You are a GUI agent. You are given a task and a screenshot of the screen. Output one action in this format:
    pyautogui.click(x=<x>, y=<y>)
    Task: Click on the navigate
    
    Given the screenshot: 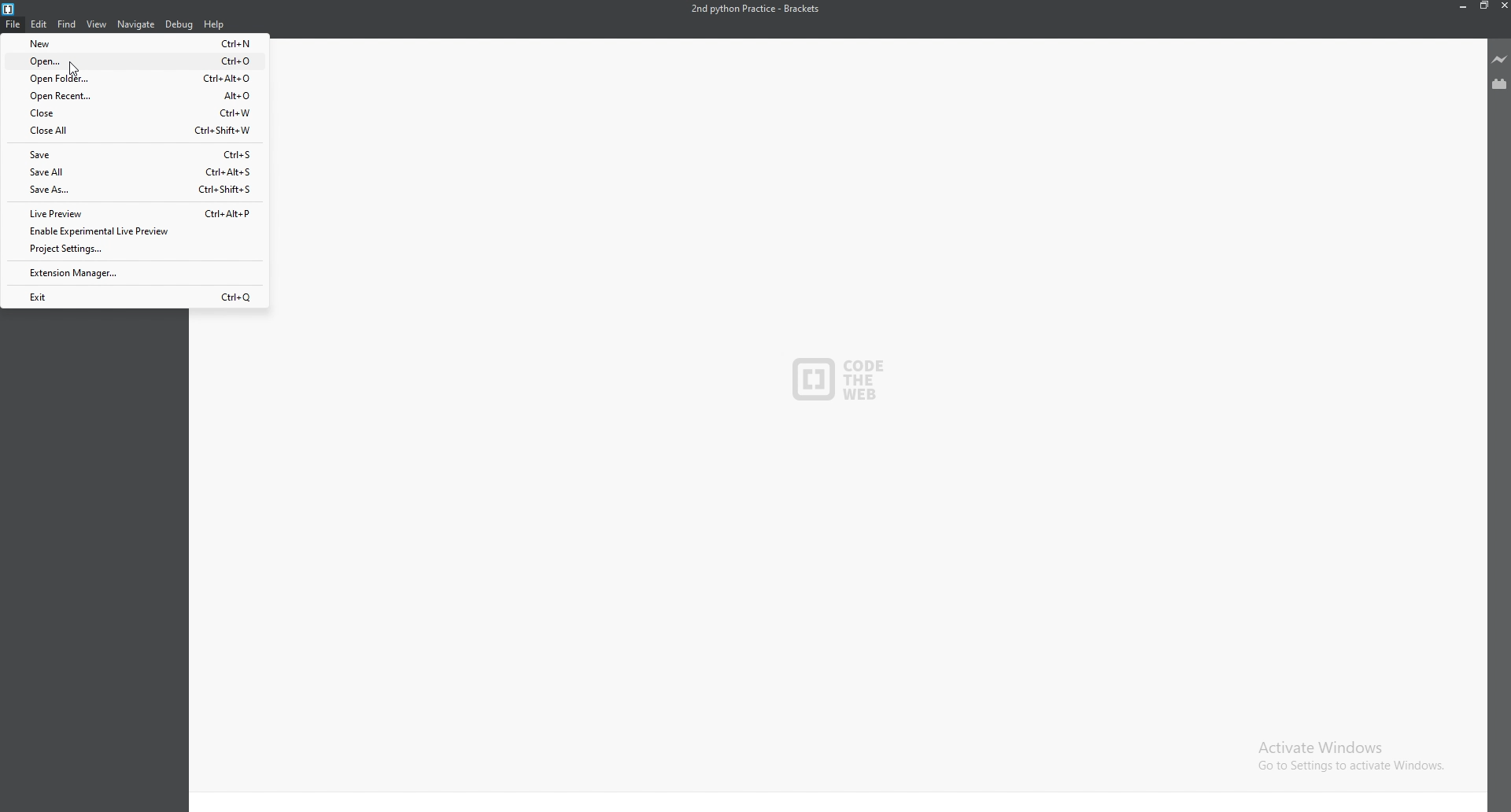 What is the action you would take?
    pyautogui.click(x=138, y=24)
    